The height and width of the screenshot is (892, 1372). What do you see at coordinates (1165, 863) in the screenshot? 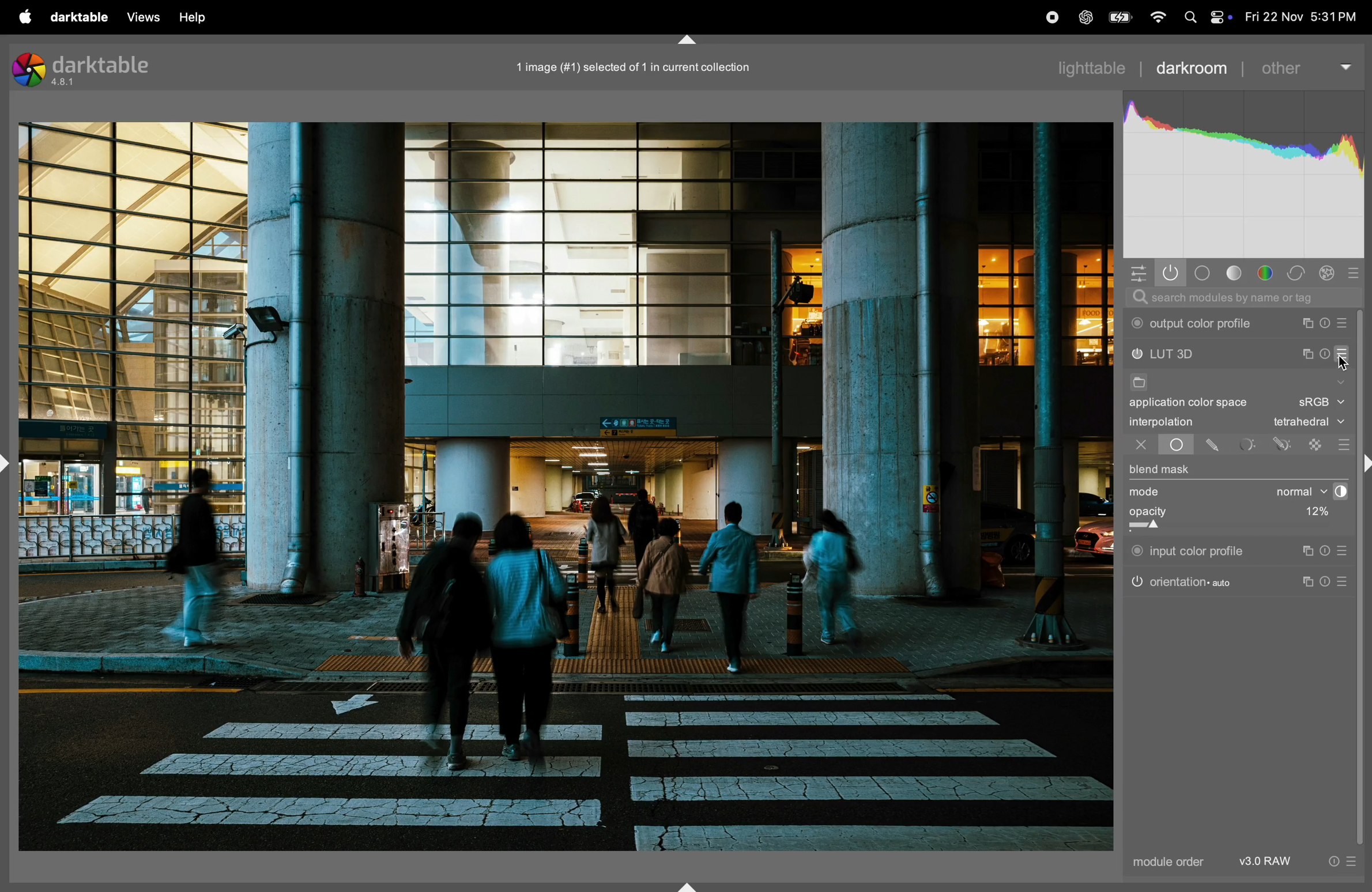
I see `module order` at bounding box center [1165, 863].